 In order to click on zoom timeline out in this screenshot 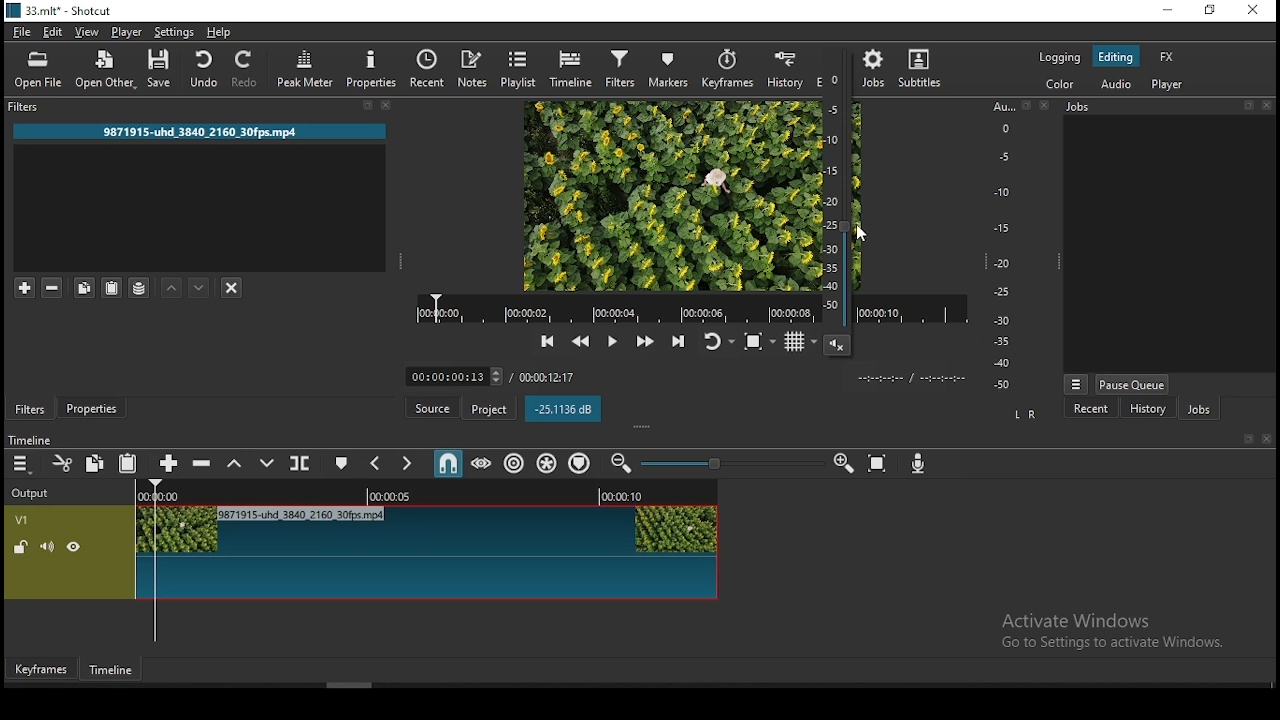, I will do `click(621, 462)`.